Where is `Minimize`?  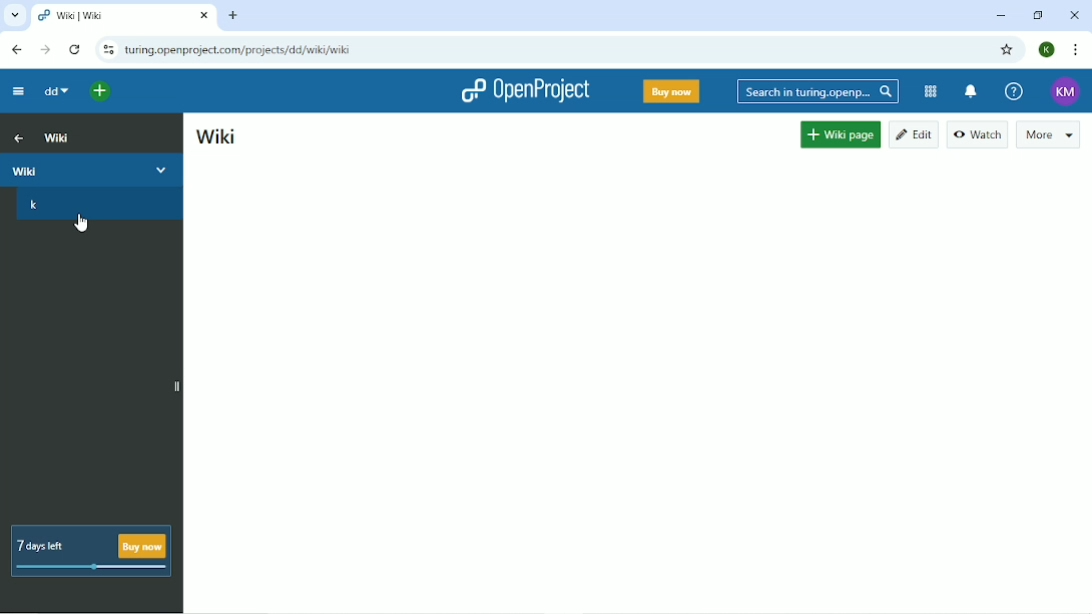 Minimize is located at coordinates (999, 15).